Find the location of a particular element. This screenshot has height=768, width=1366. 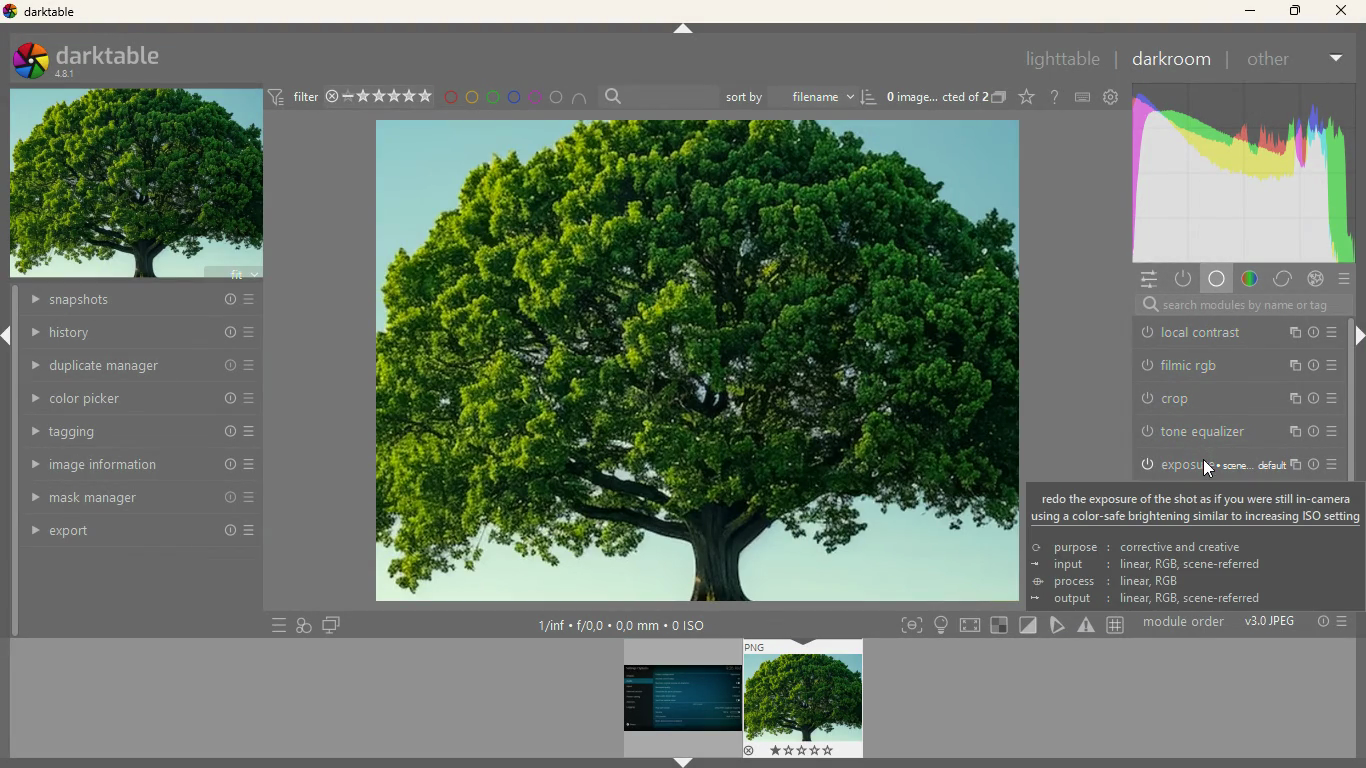

image is located at coordinates (137, 186).